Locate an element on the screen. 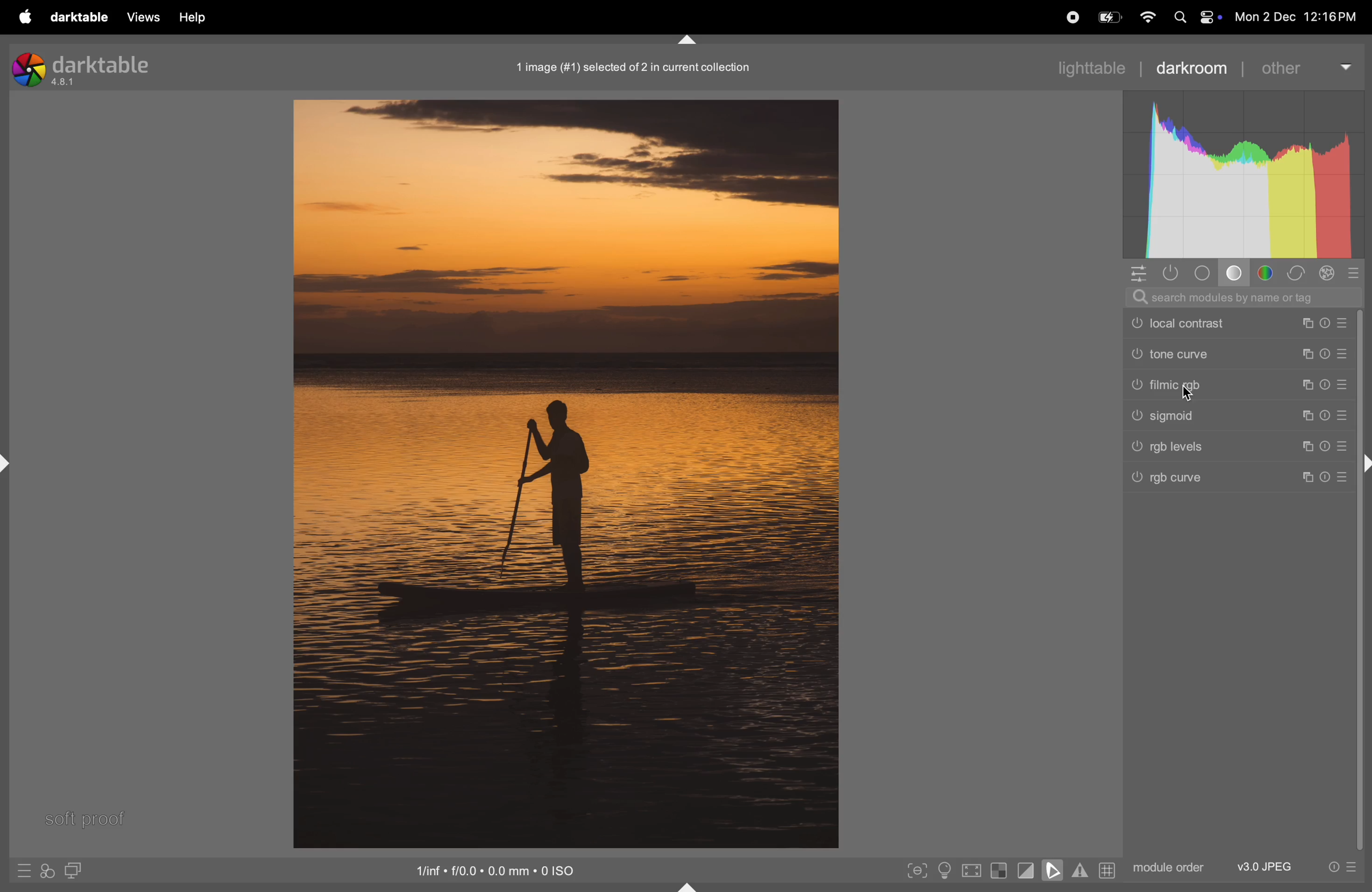 The width and height of the screenshot is (1372, 892). darkroom is located at coordinates (1192, 67).